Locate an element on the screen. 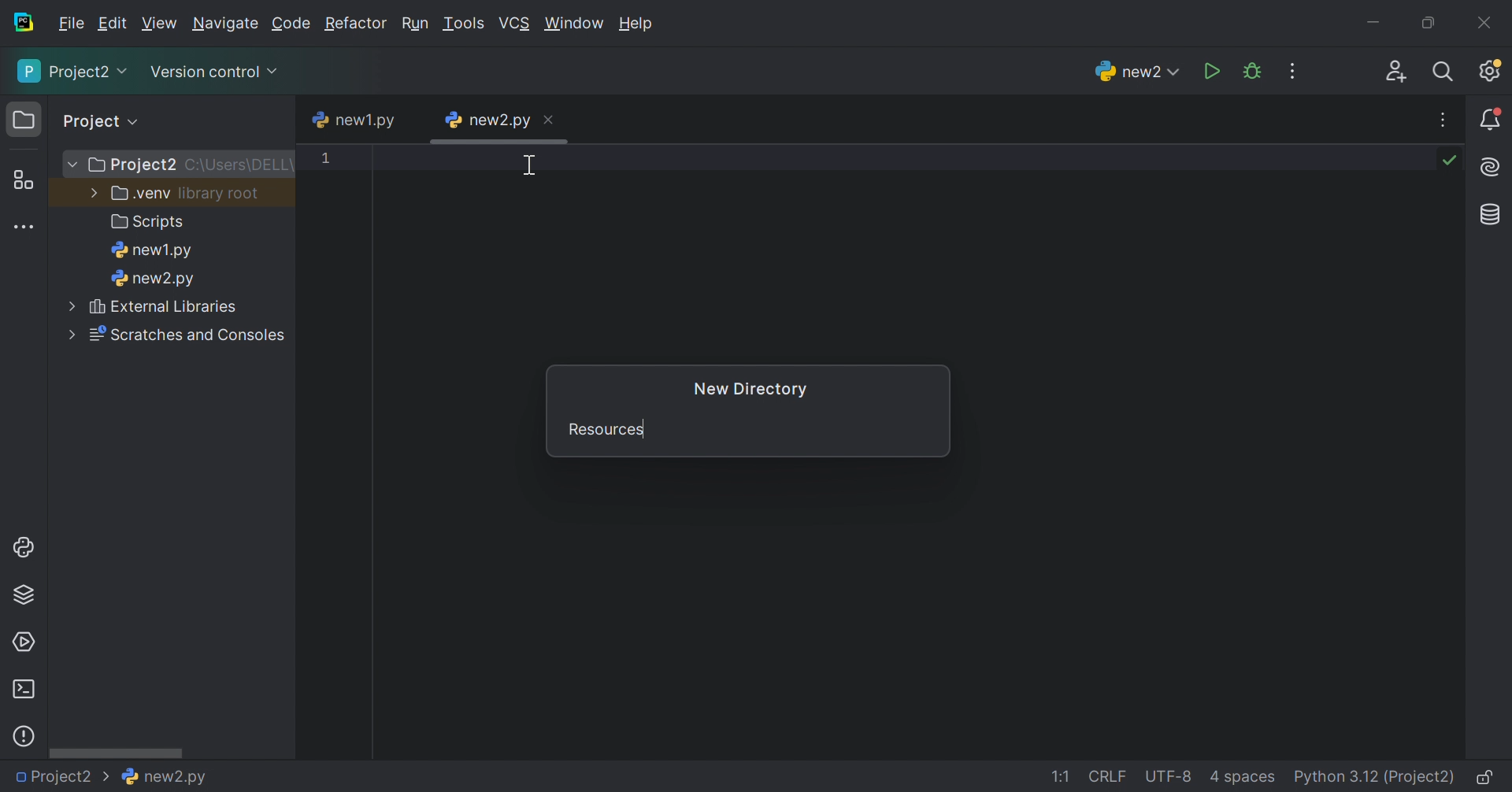 Image resolution: width=1512 pixels, height=792 pixels. Resources is located at coordinates (607, 429).